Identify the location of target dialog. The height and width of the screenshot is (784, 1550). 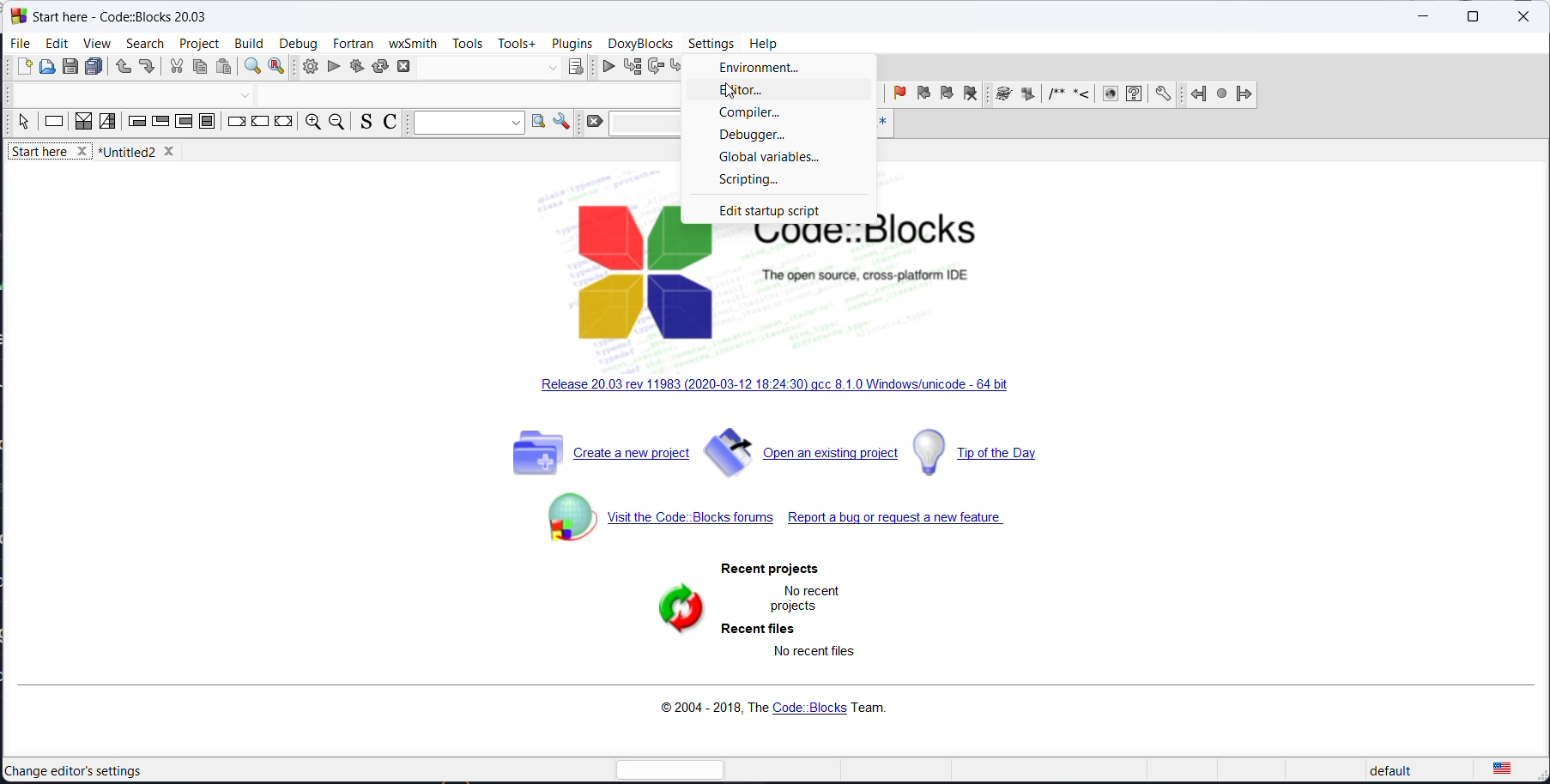
(576, 67).